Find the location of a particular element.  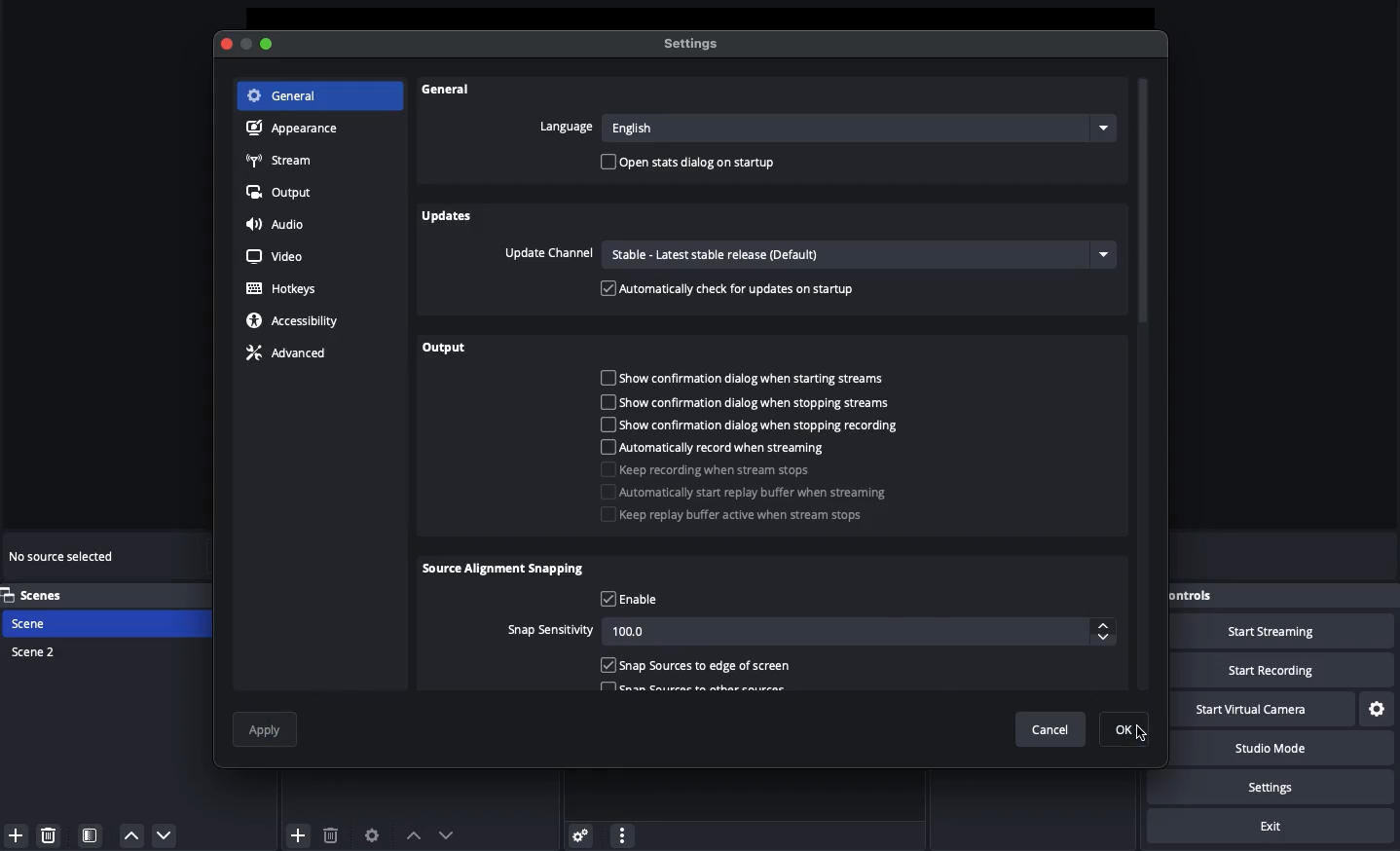

Enable is located at coordinates (631, 600).